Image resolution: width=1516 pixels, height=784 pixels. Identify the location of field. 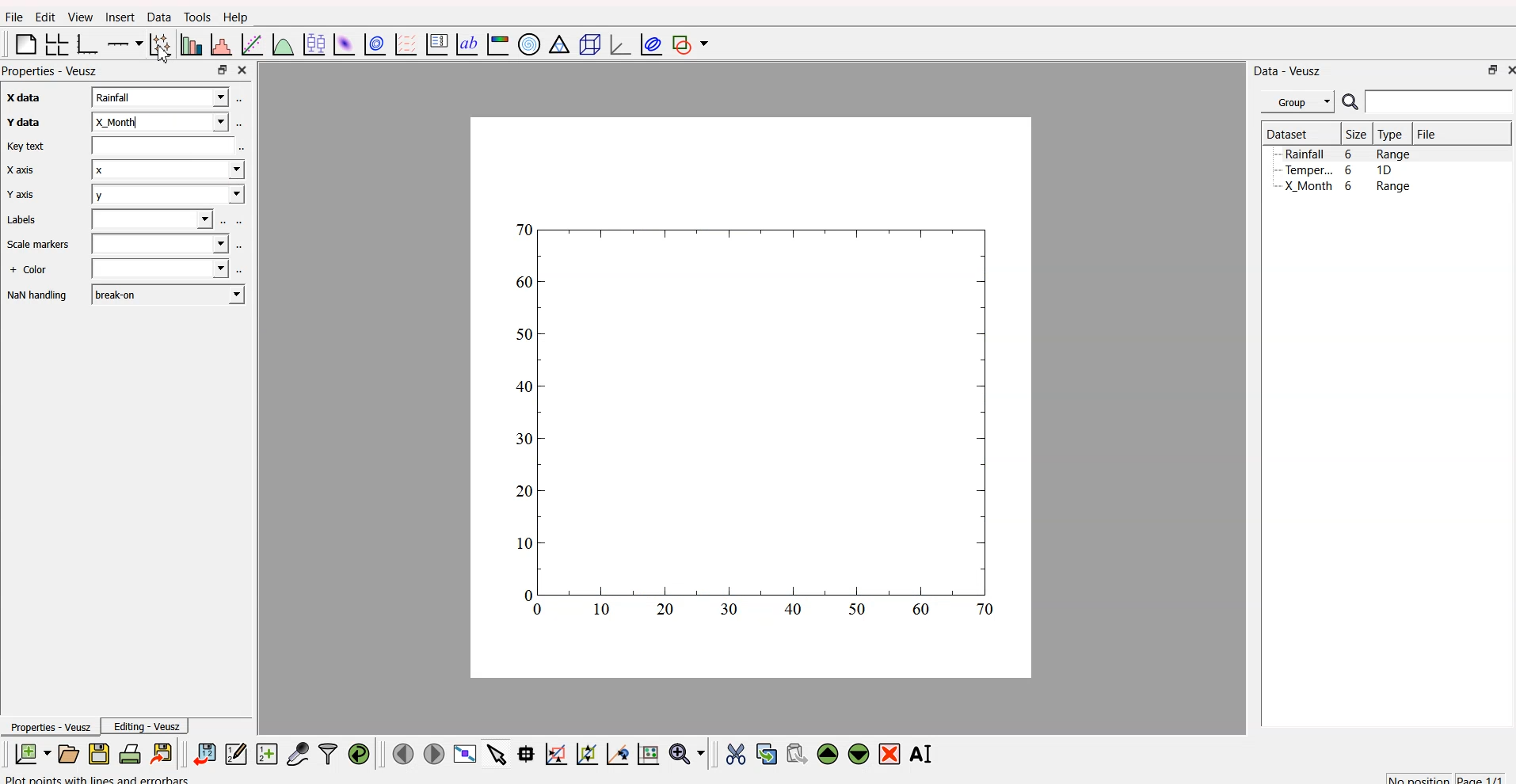
(163, 244).